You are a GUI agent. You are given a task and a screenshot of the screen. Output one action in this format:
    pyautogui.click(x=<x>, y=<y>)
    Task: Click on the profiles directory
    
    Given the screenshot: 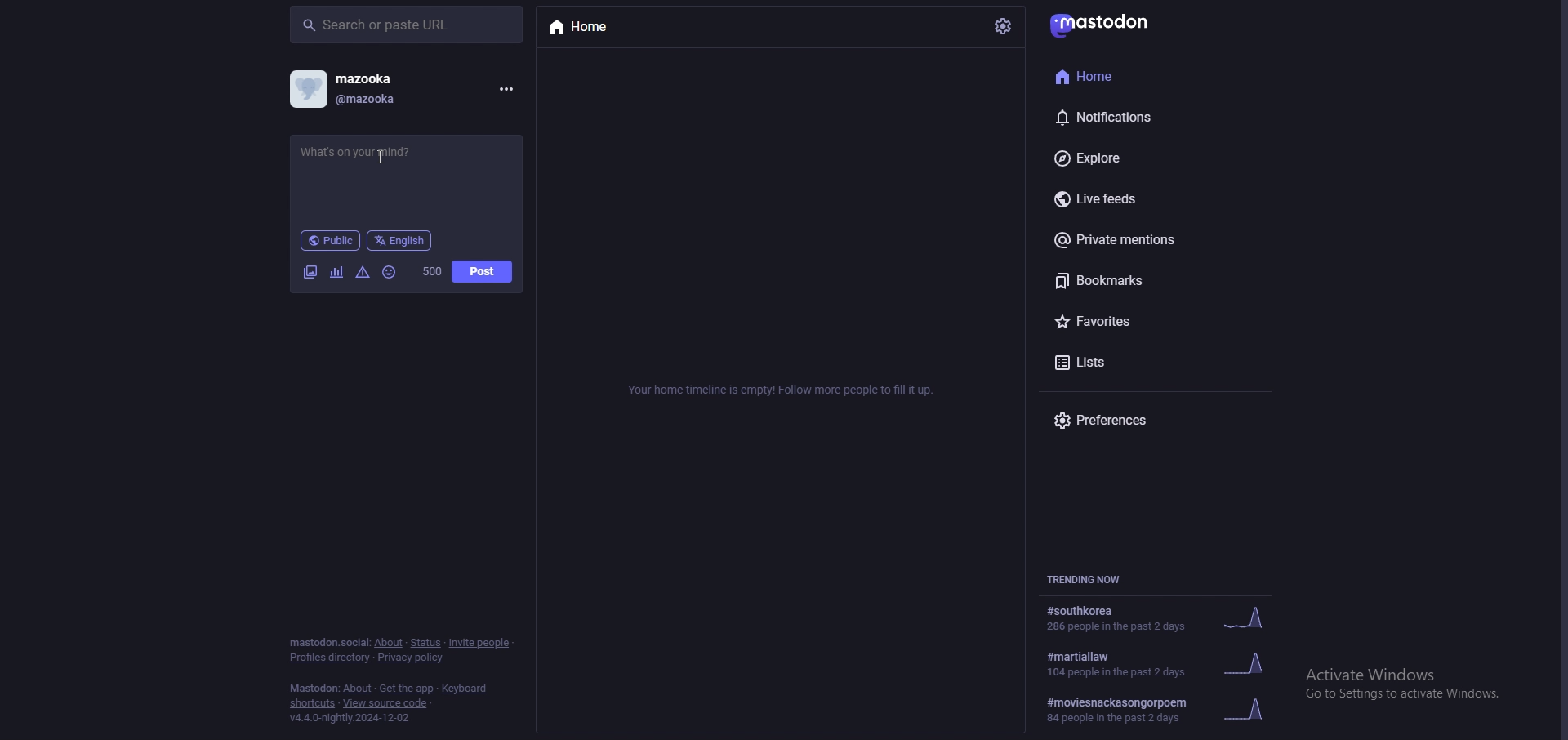 What is the action you would take?
    pyautogui.click(x=330, y=658)
    